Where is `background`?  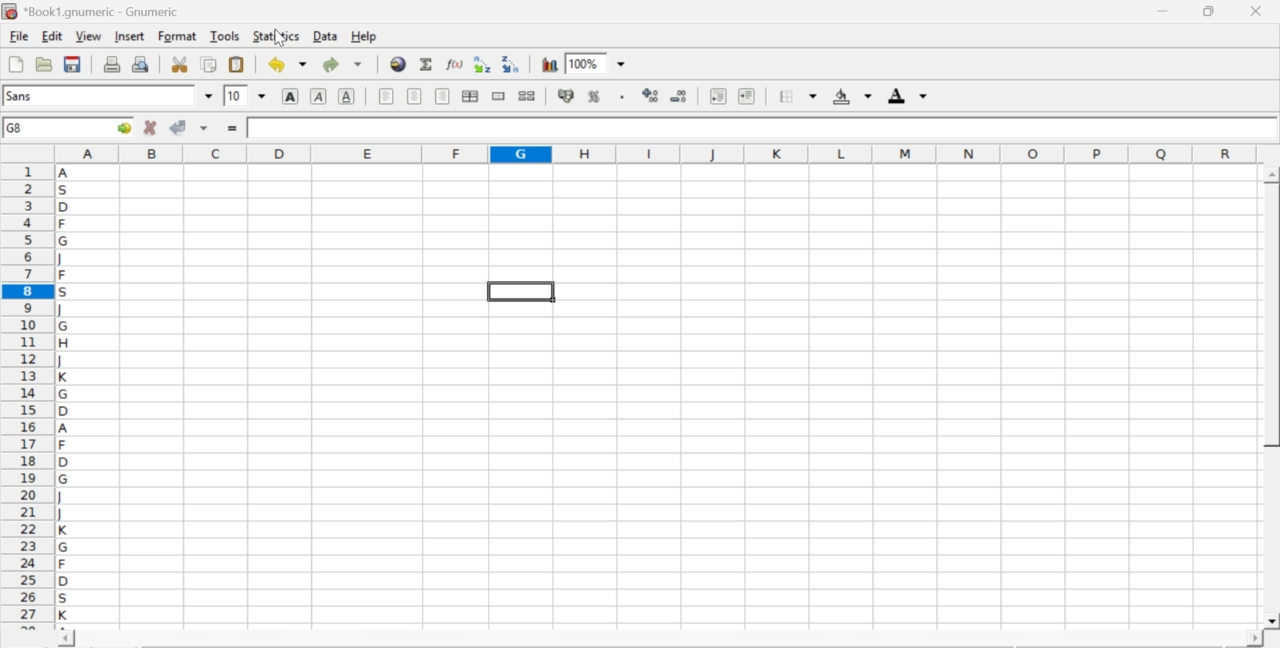 background is located at coordinates (854, 96).